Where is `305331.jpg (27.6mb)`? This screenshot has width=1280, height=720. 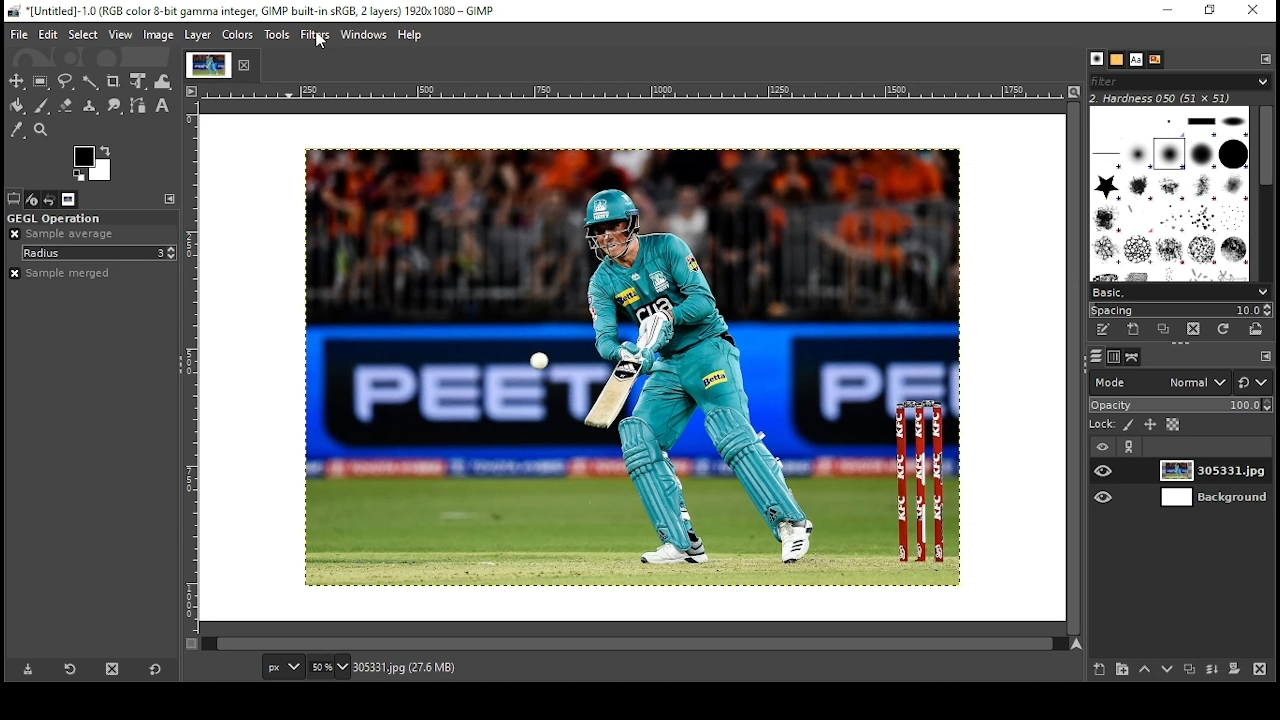
305331.jpg (27.6mb) is located at coordinates (405, 668).